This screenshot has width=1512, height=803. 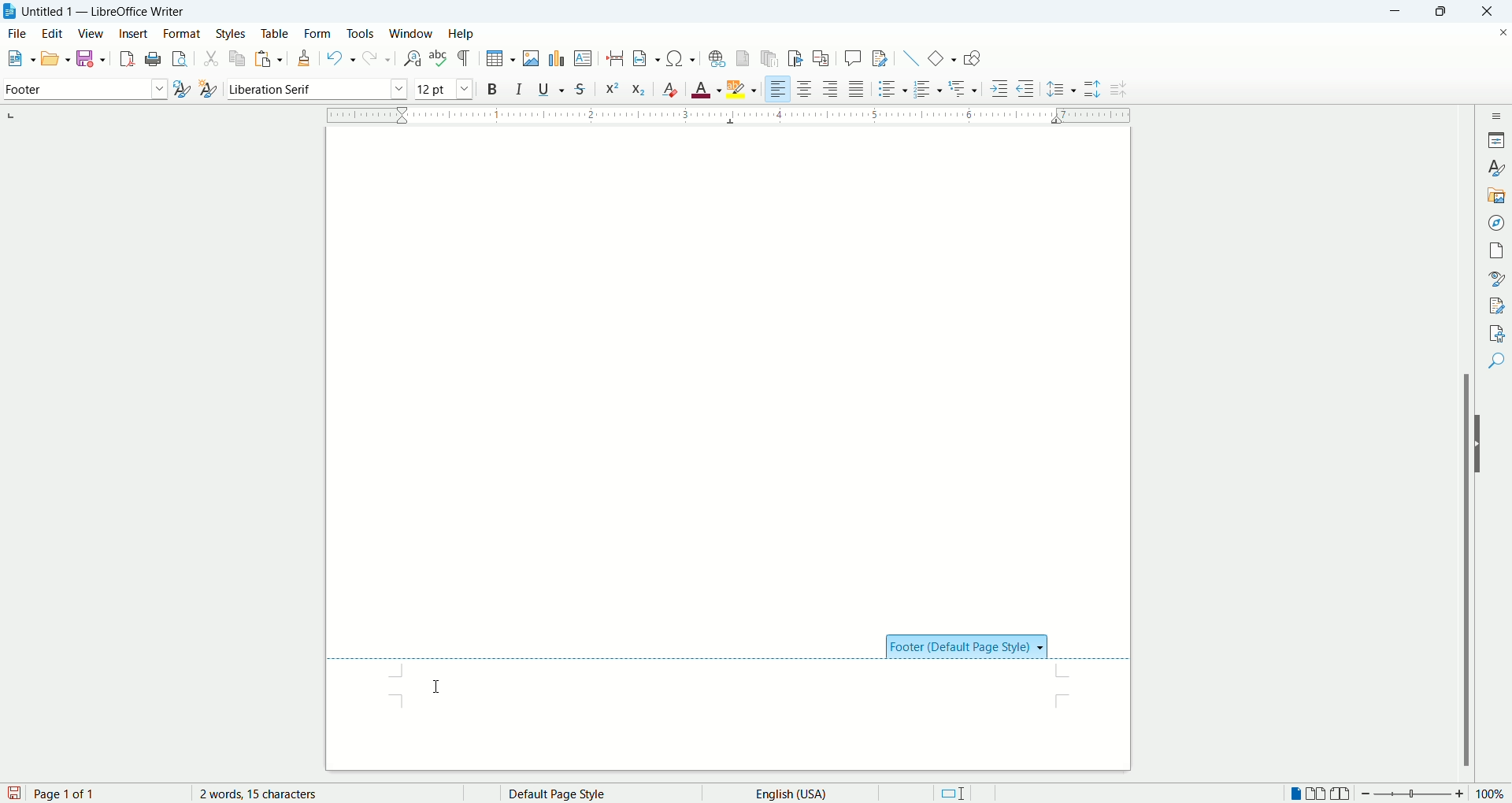 I want to click on bold, so click(x=492, y=88).